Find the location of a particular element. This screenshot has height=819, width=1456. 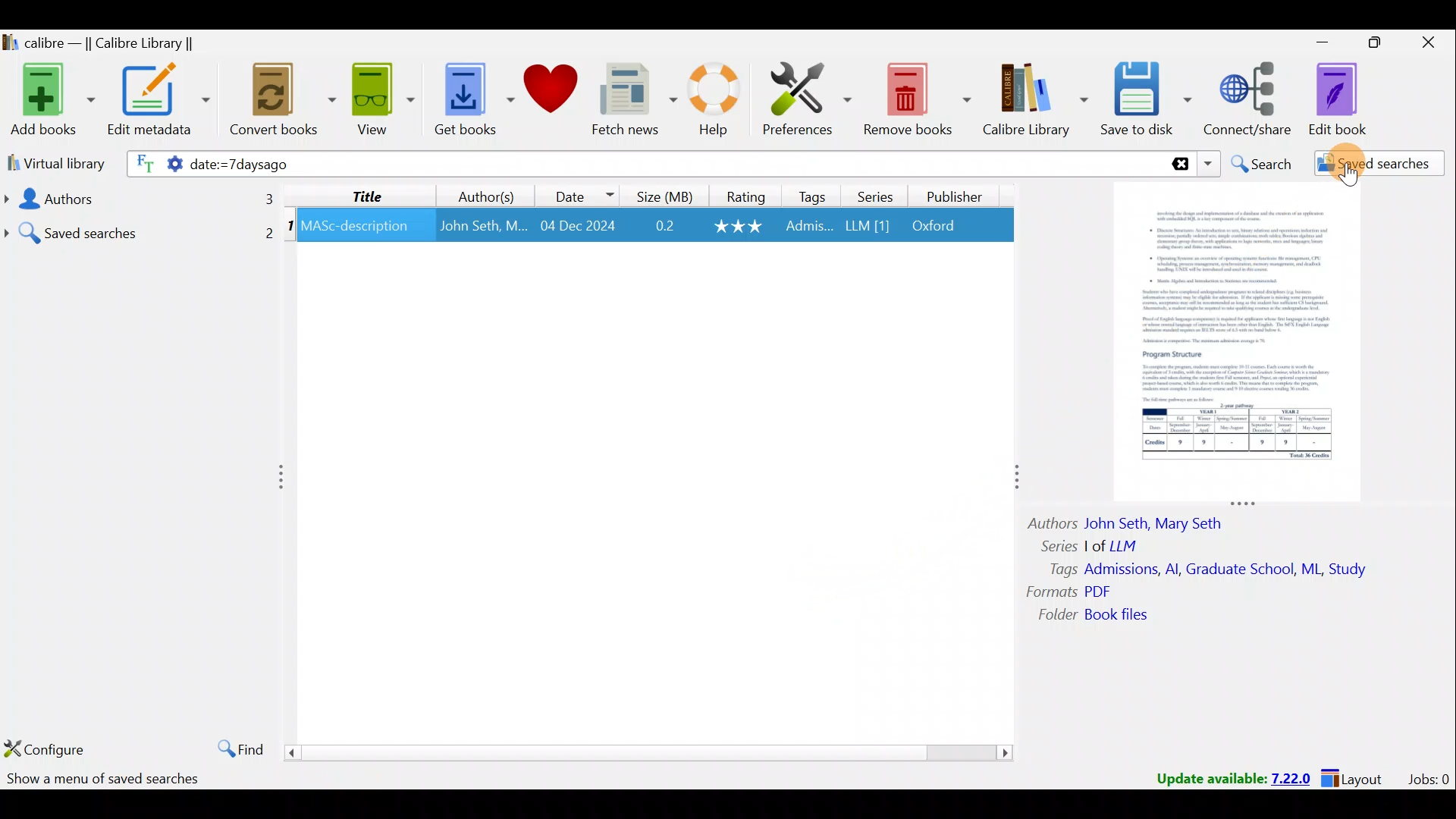

xxx is located at coordinates (740, 226).